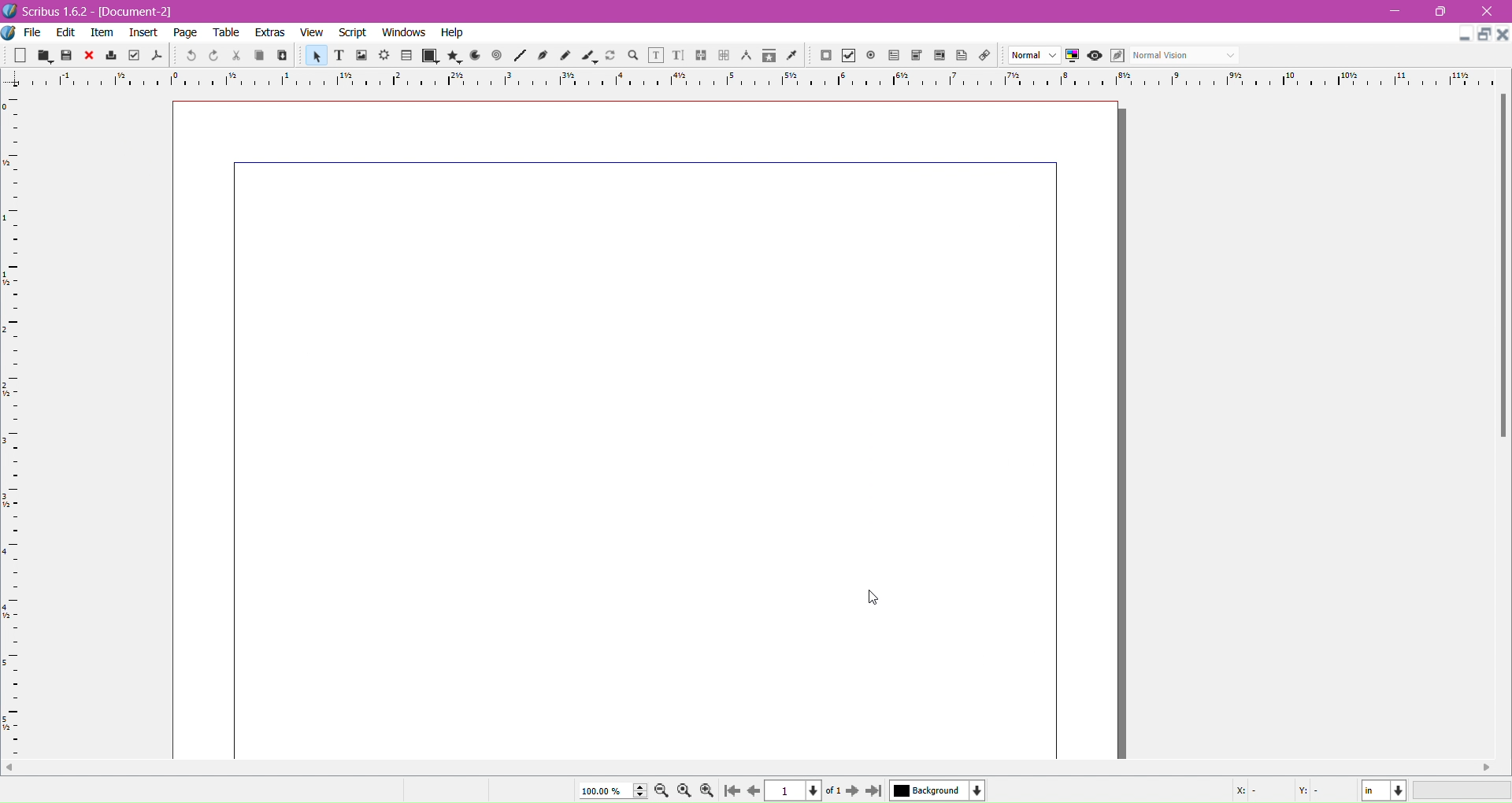 The image size is (1512, 803). Describe the element at coordinates (90, 54) in the screenshot. I see `icon` at that location.